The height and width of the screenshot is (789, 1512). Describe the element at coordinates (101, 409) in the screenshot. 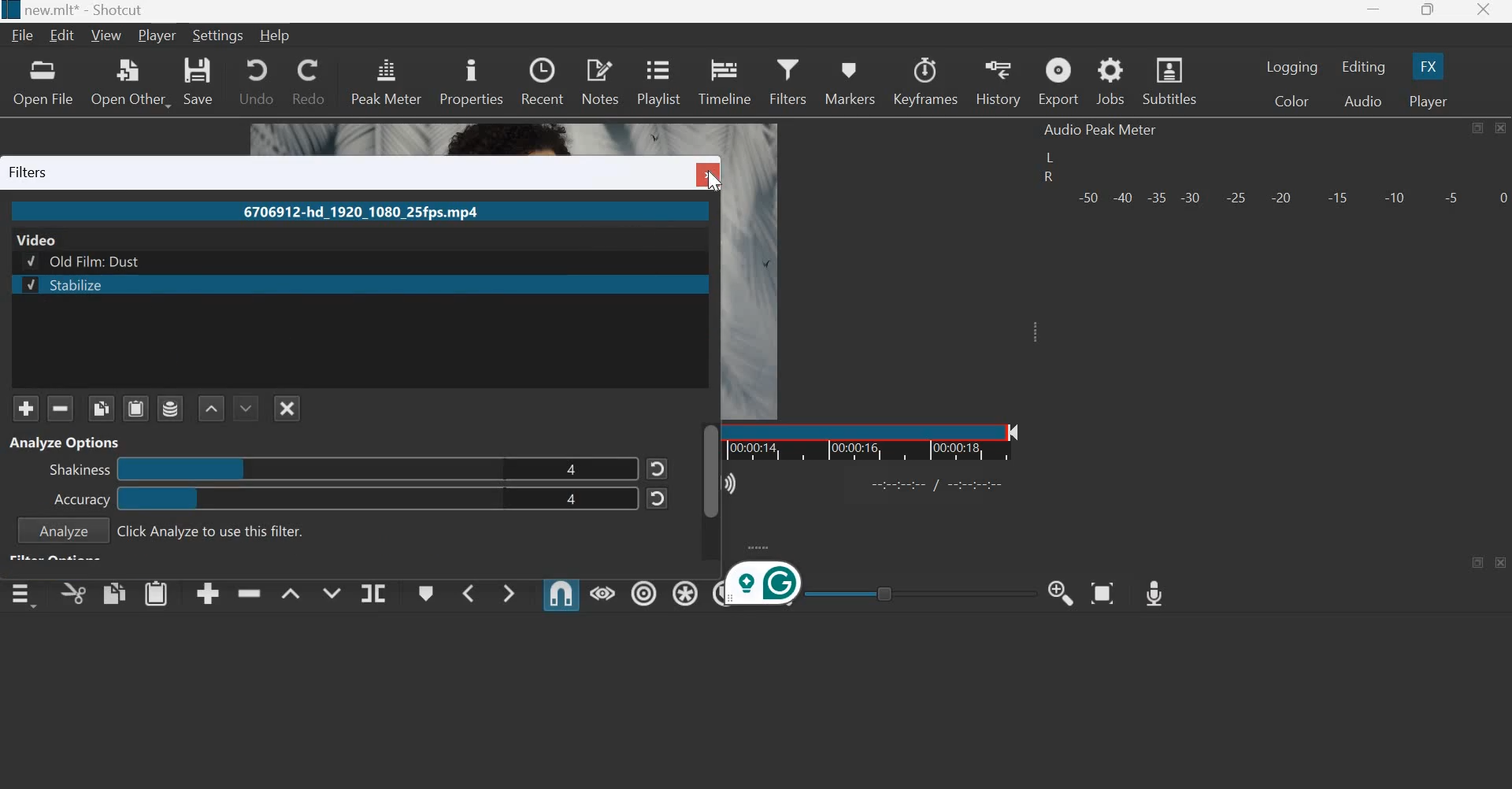

I see `copy checked filters` at that location.